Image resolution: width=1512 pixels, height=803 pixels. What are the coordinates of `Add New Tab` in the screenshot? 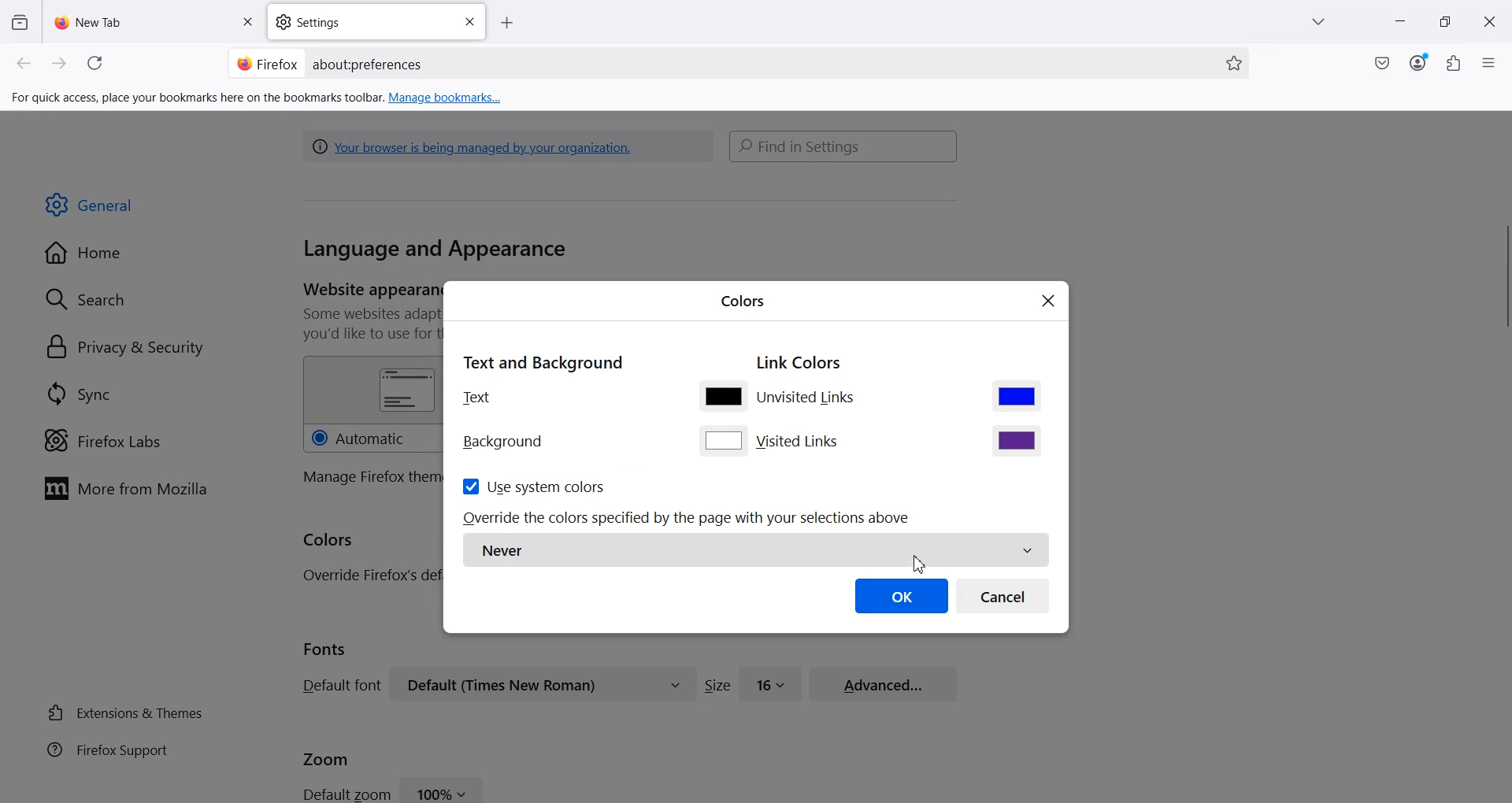 It's located at (507, 24).